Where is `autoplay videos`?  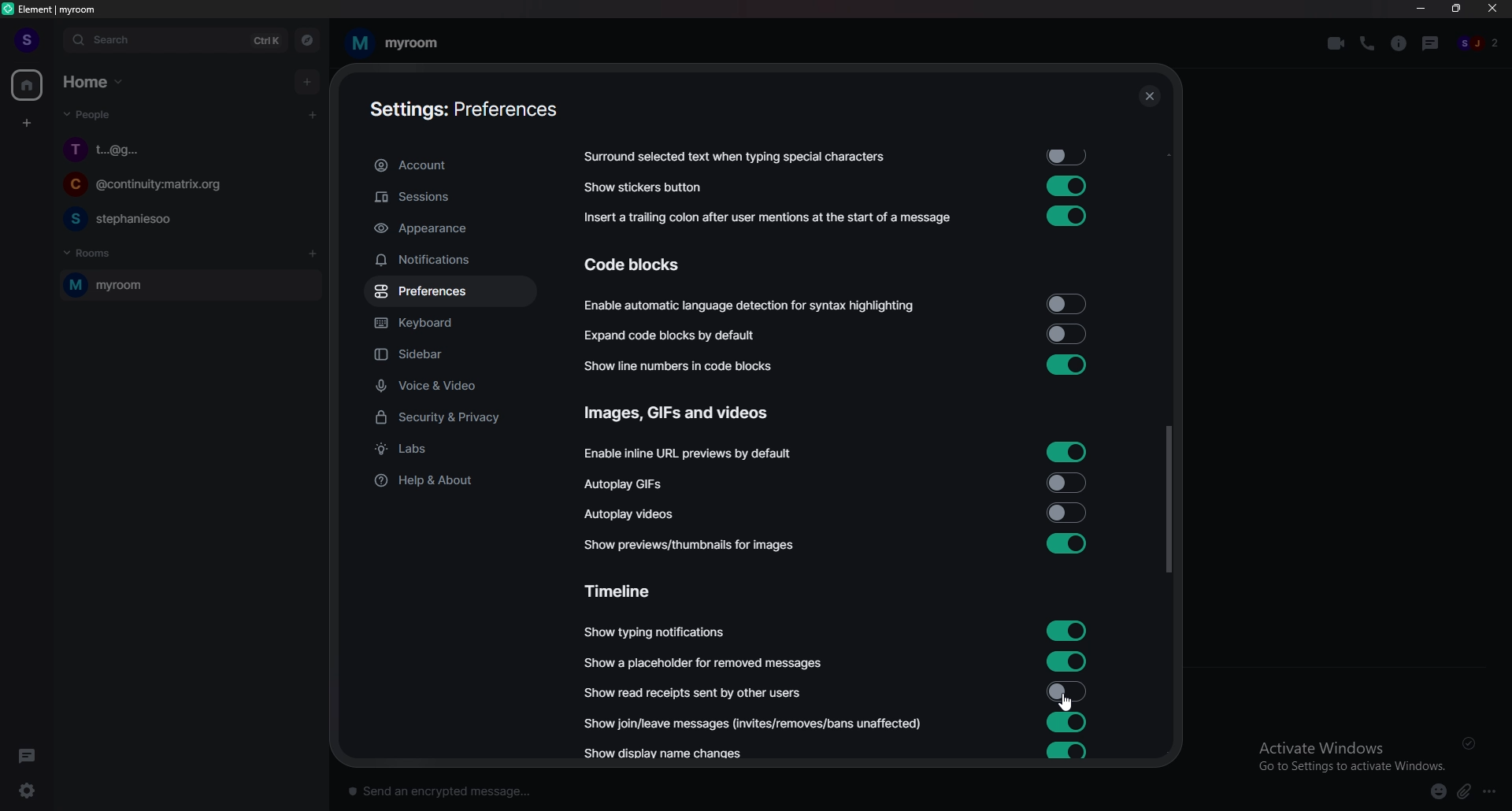
autoplay videos is located at coordinates (630, 513).